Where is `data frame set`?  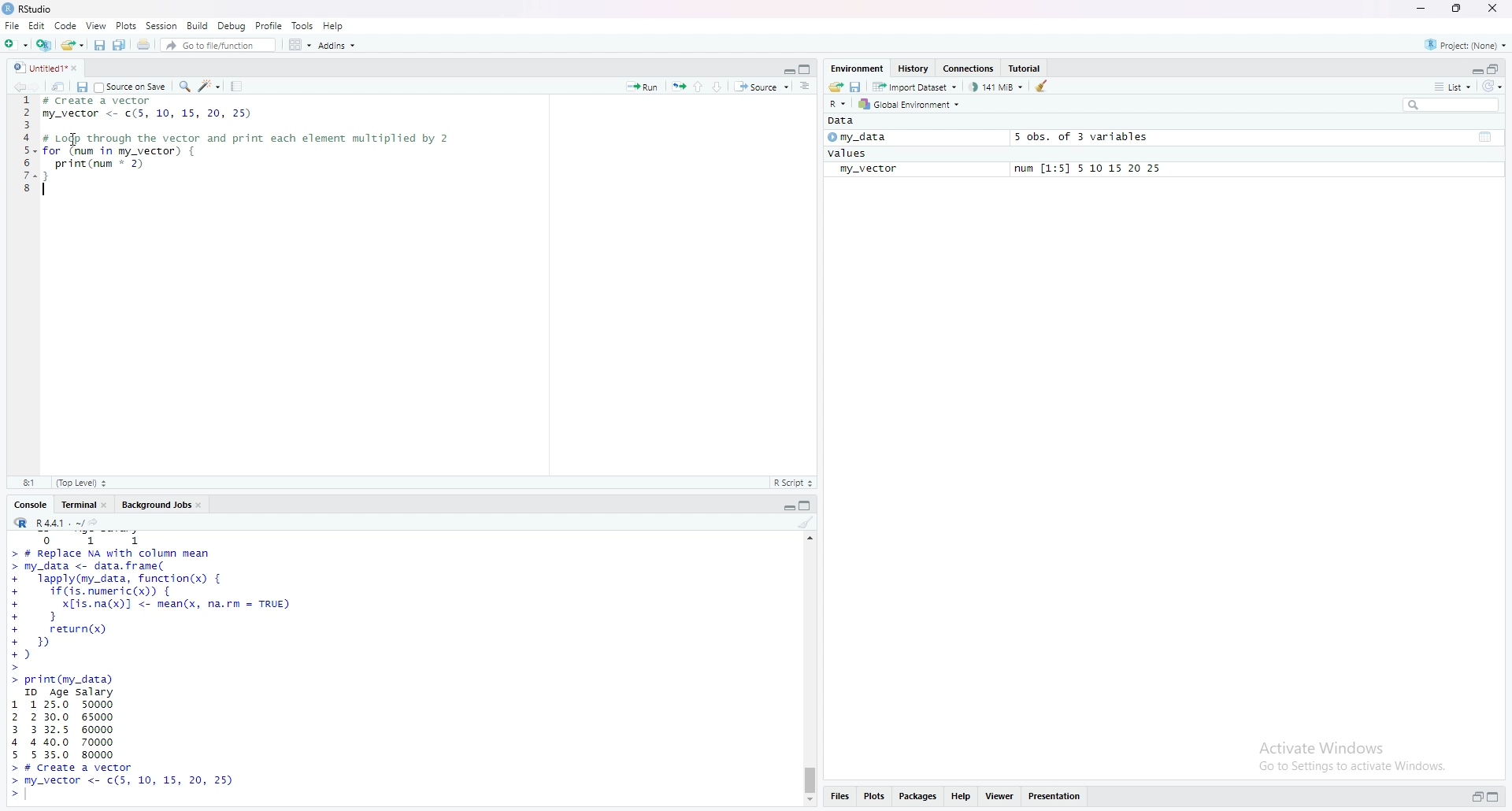 data frame set is located at coordinates (152, 668).